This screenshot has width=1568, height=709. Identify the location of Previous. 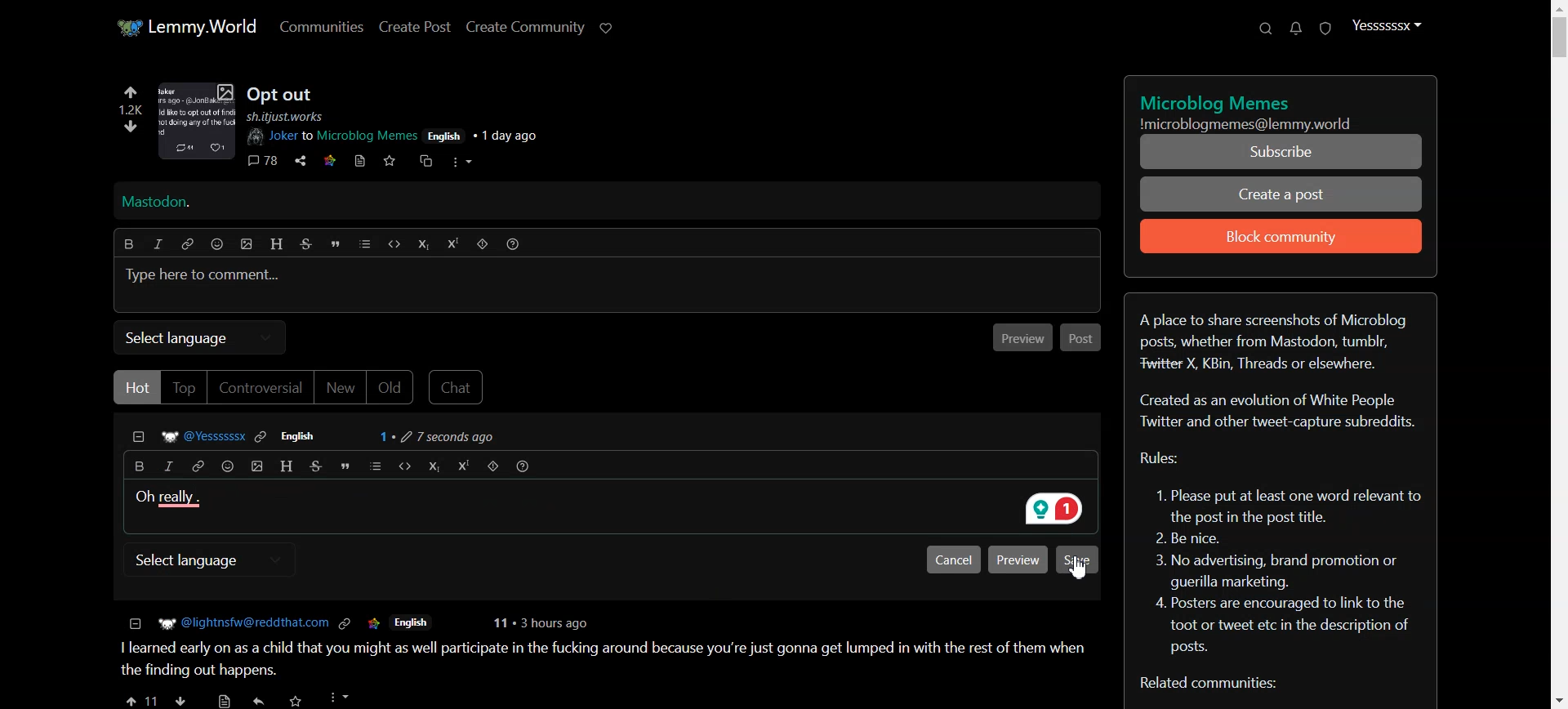
(1021, 337).